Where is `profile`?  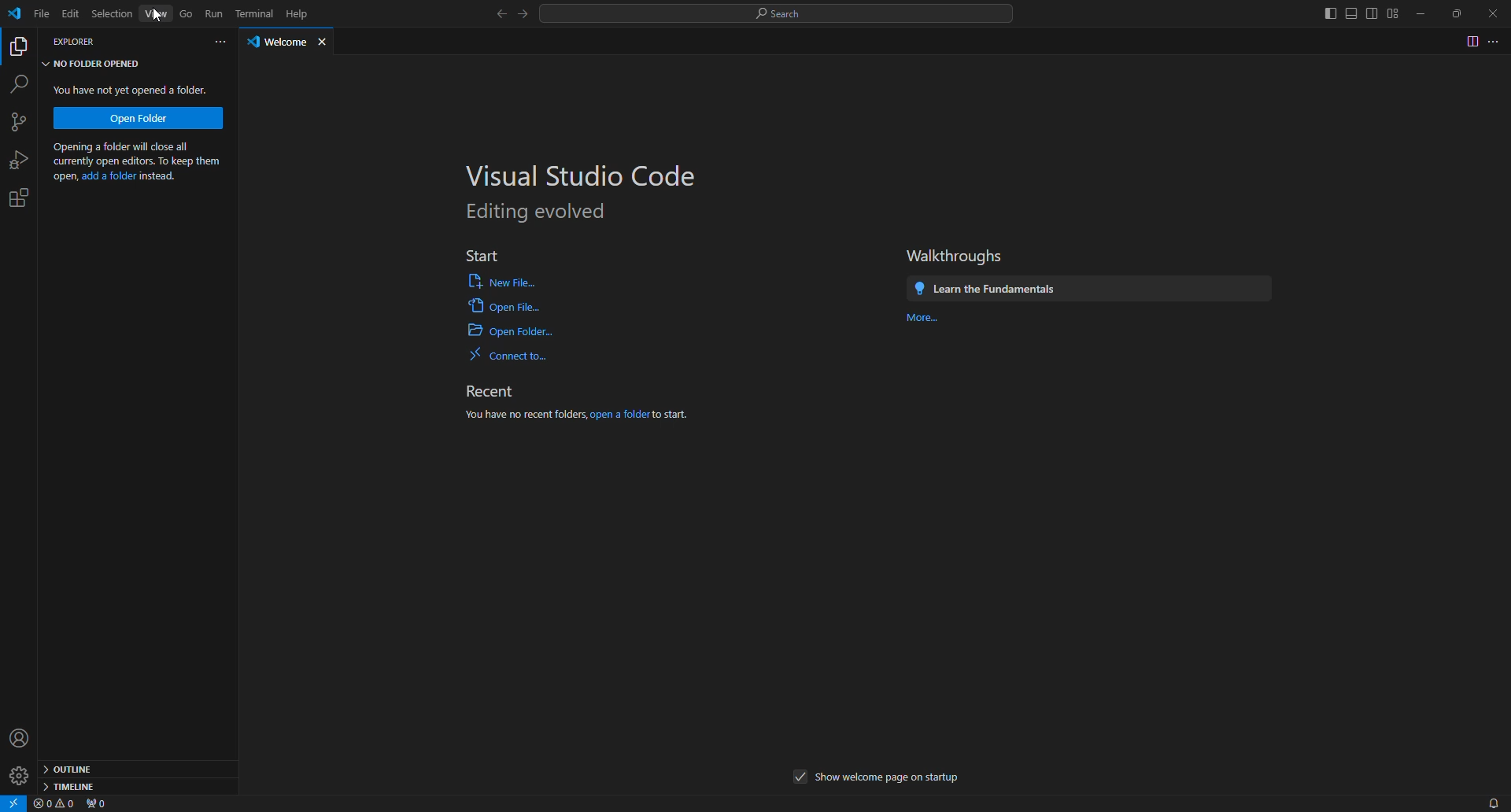 profile is located at coordinates (25, 739).